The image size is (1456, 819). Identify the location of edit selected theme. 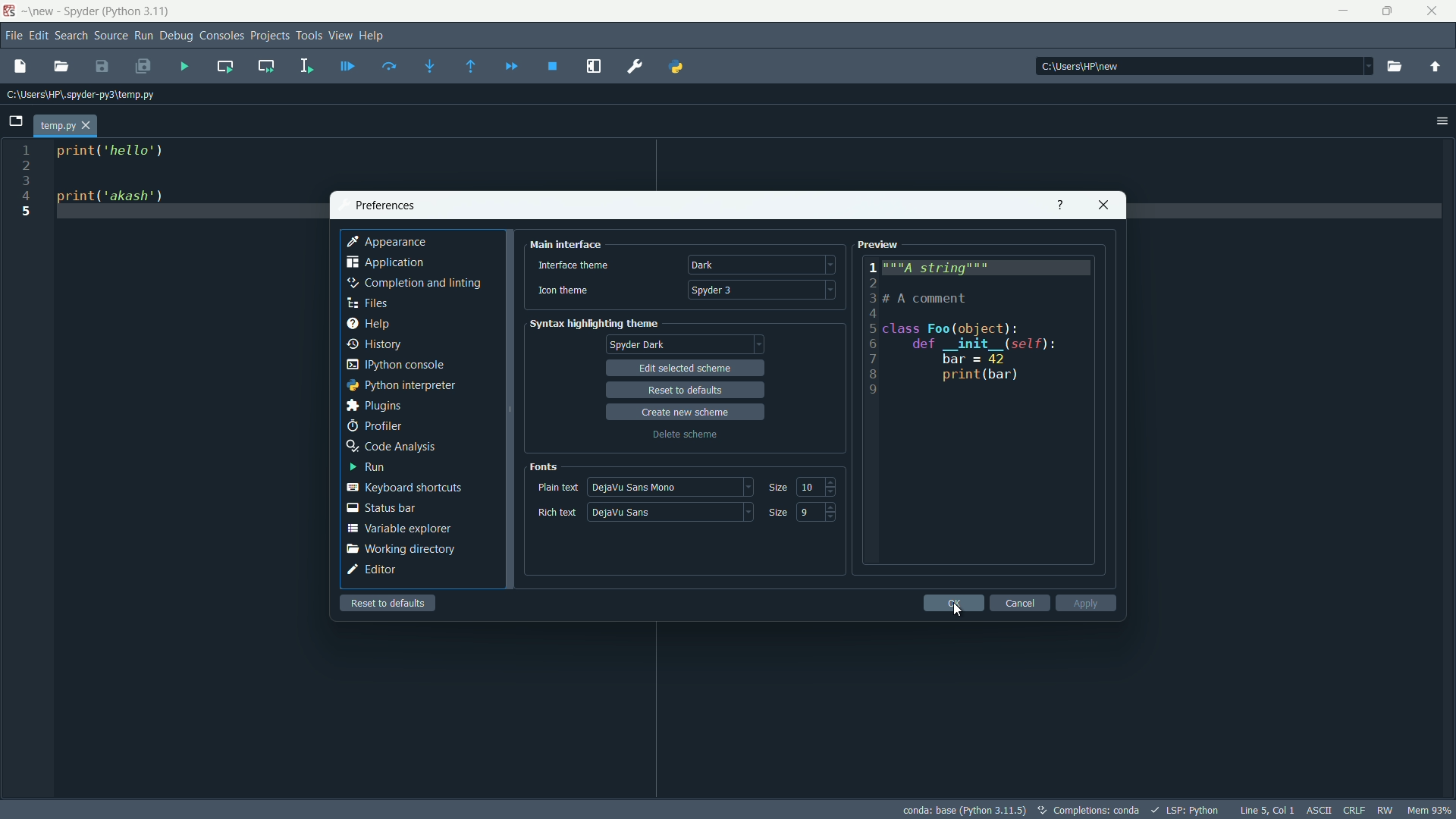
(688, 368).